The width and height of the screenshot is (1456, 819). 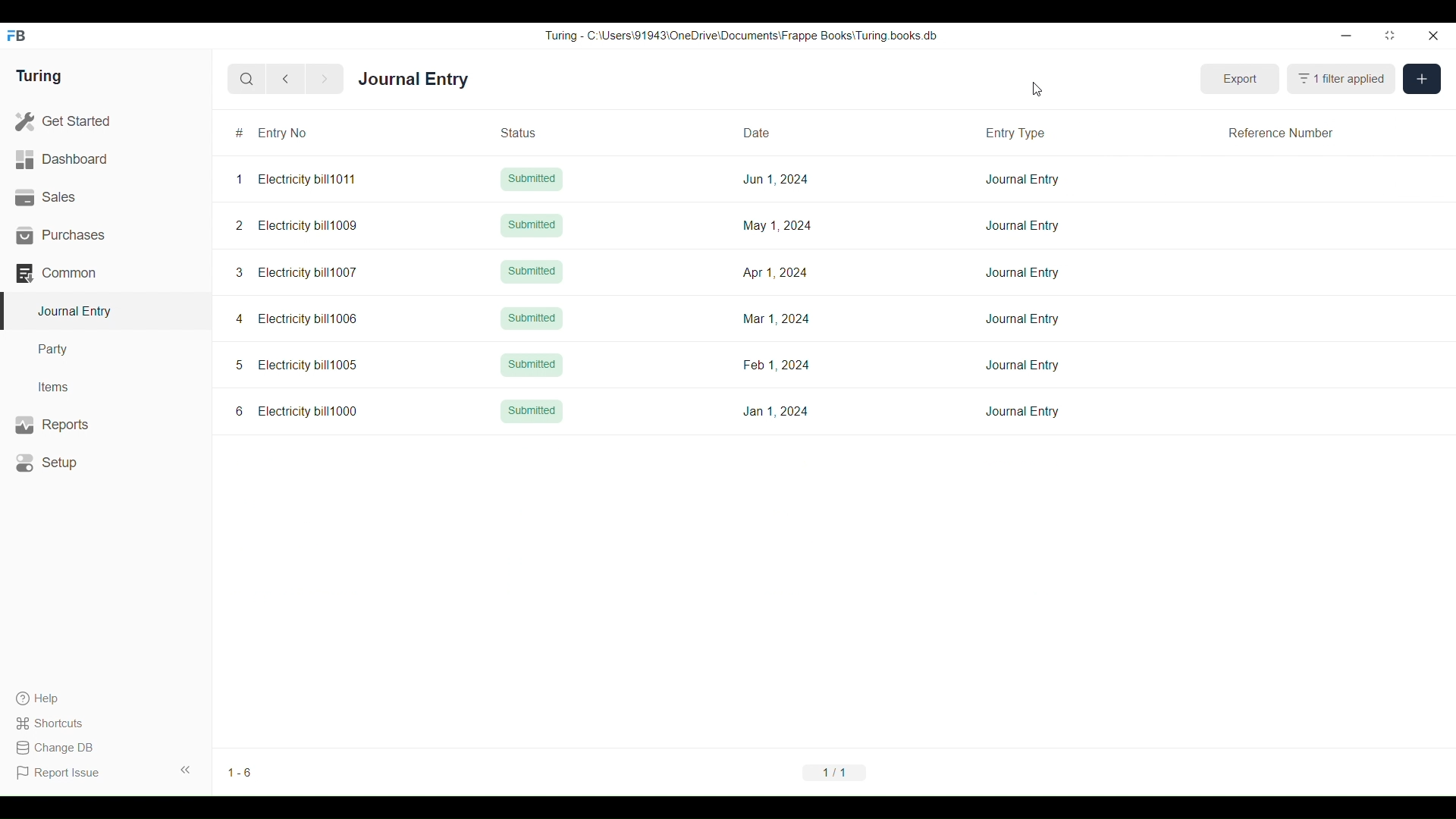 I want to click on Submitted, so click(x=532, y=365).